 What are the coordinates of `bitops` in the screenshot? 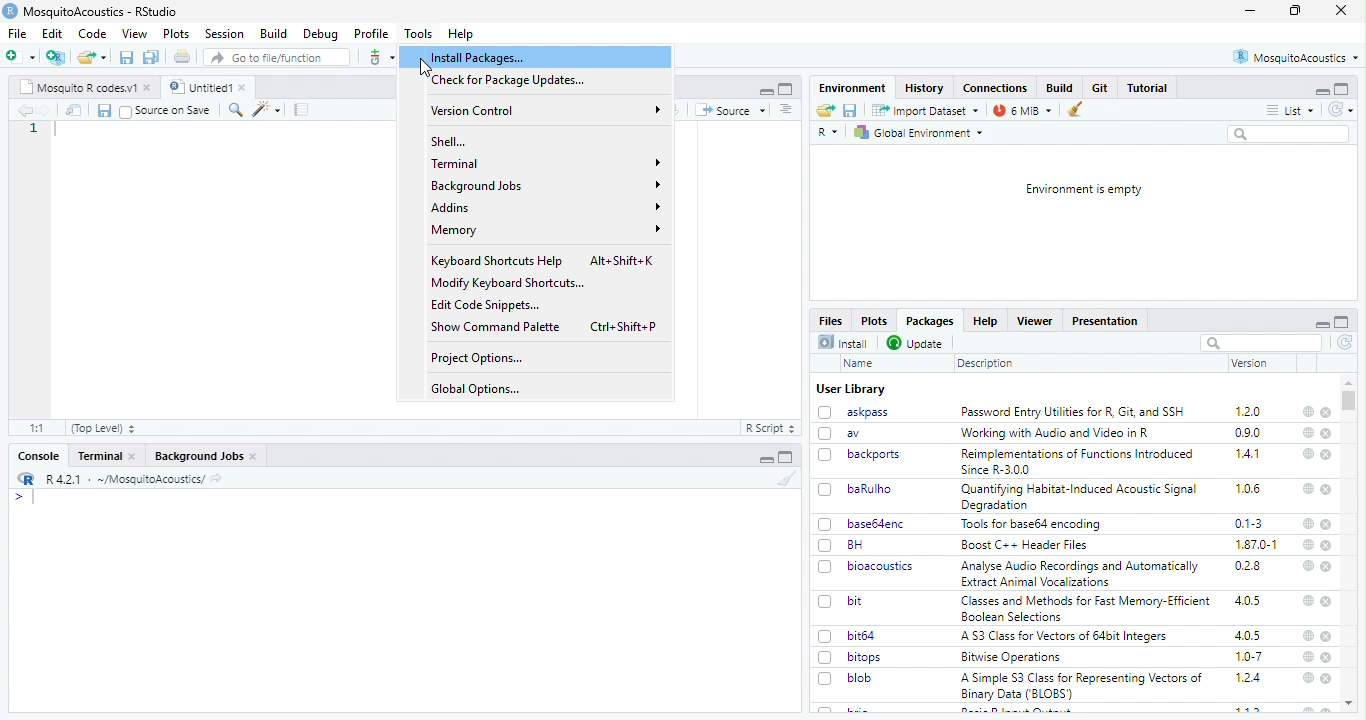 It's located at (866, 657).